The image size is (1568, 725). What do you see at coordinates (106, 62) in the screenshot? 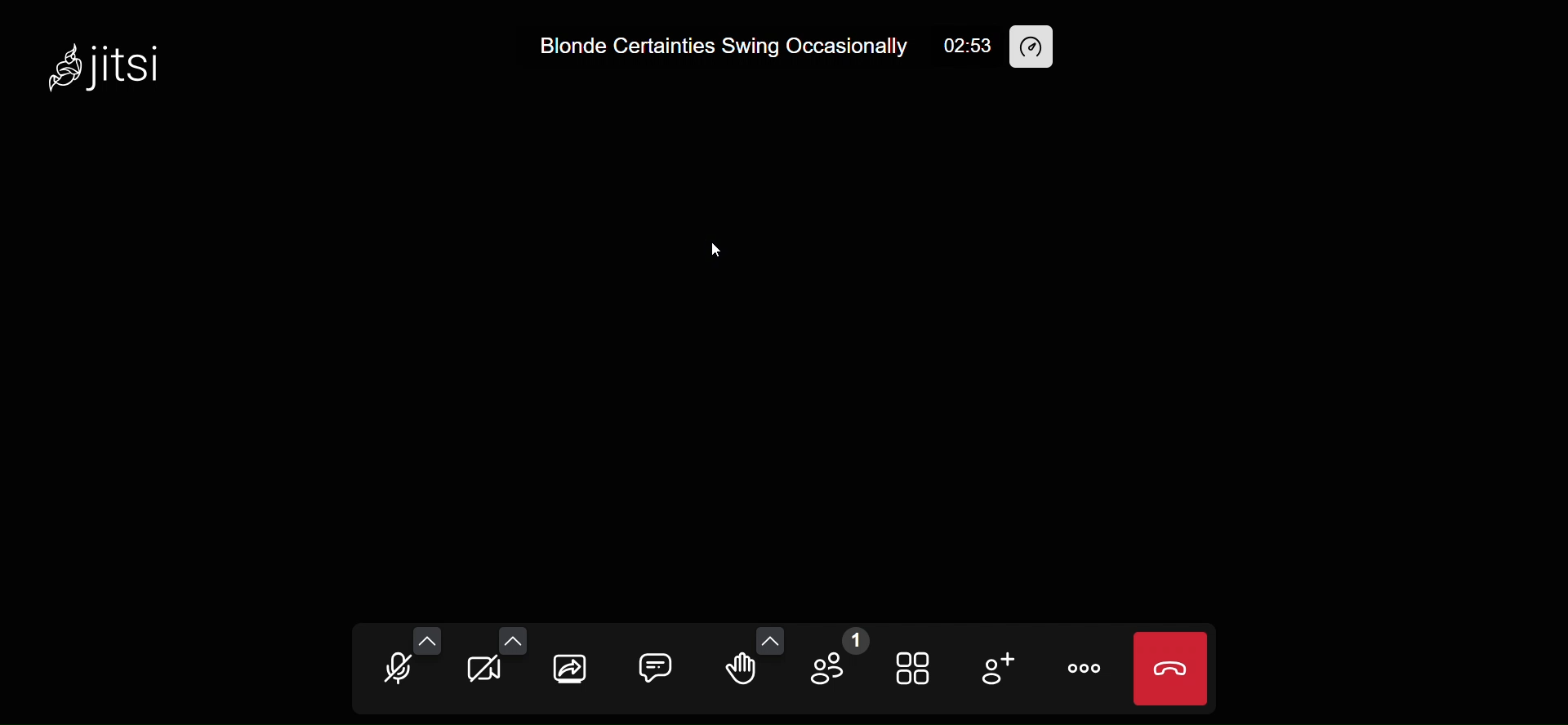
I see `jitsi` at bounding box center [106, 62].